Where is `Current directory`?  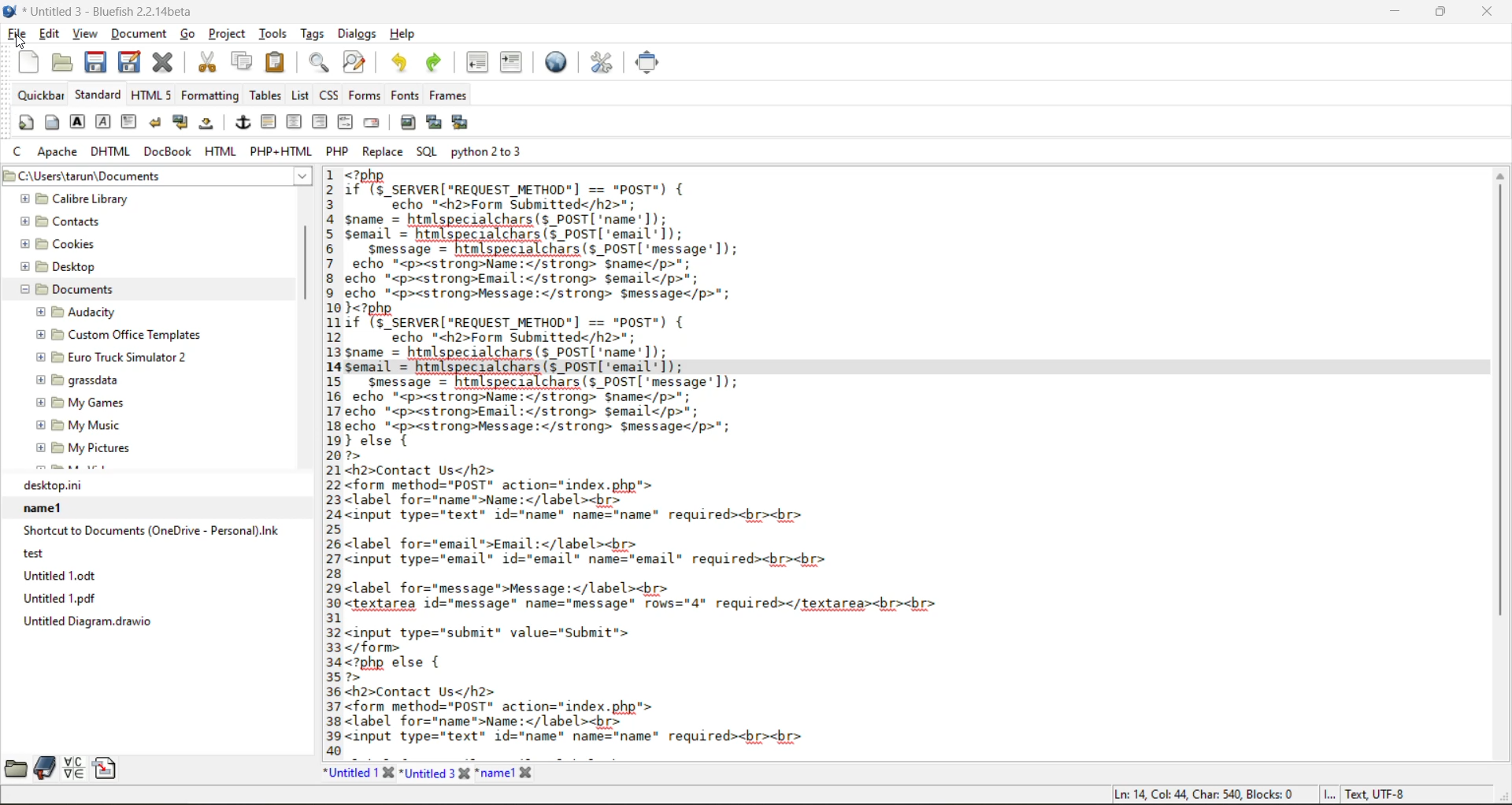
Current directory is located at coordinates (215, 176).